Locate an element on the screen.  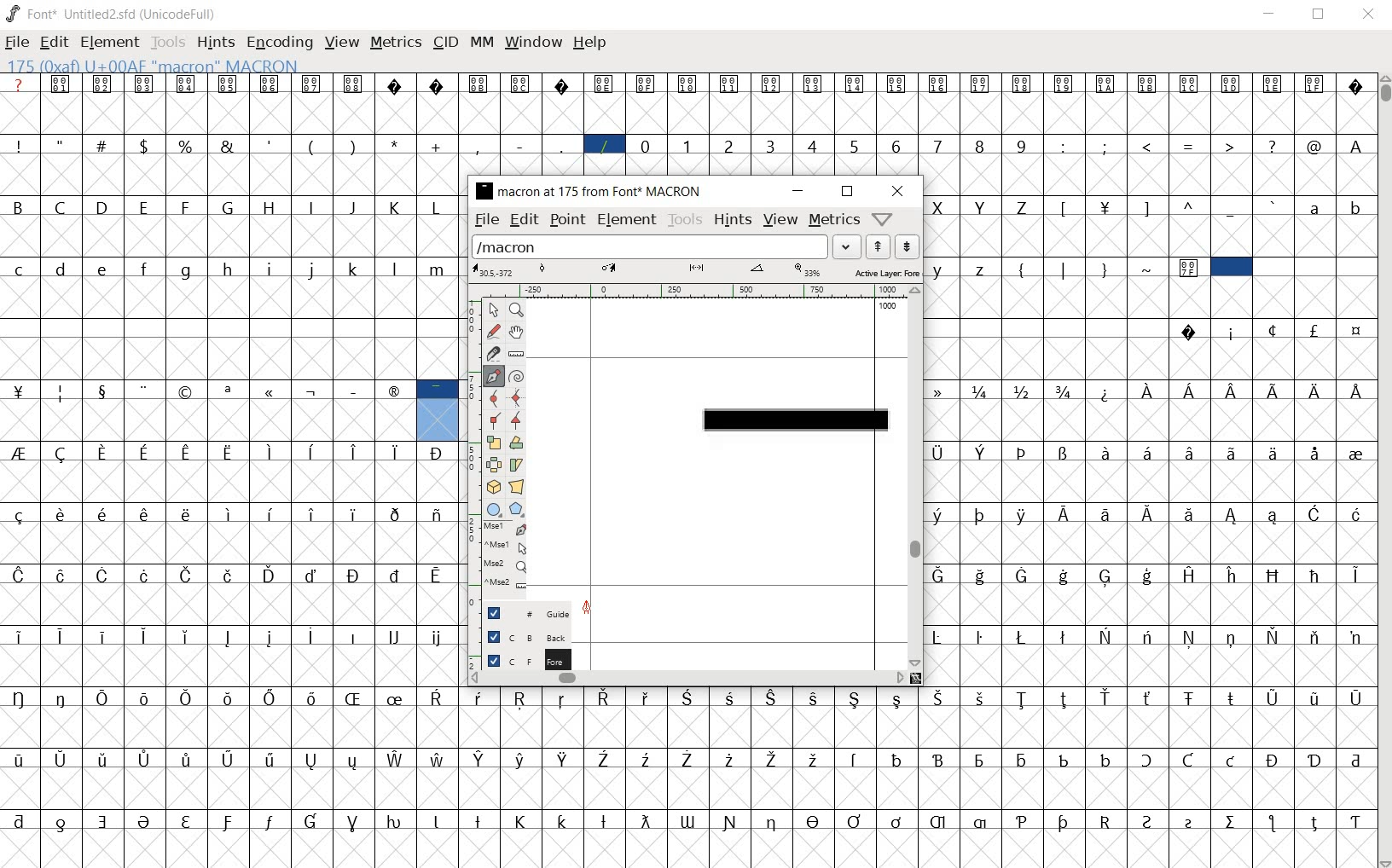
Symbol is located at coordinates (438, 575).